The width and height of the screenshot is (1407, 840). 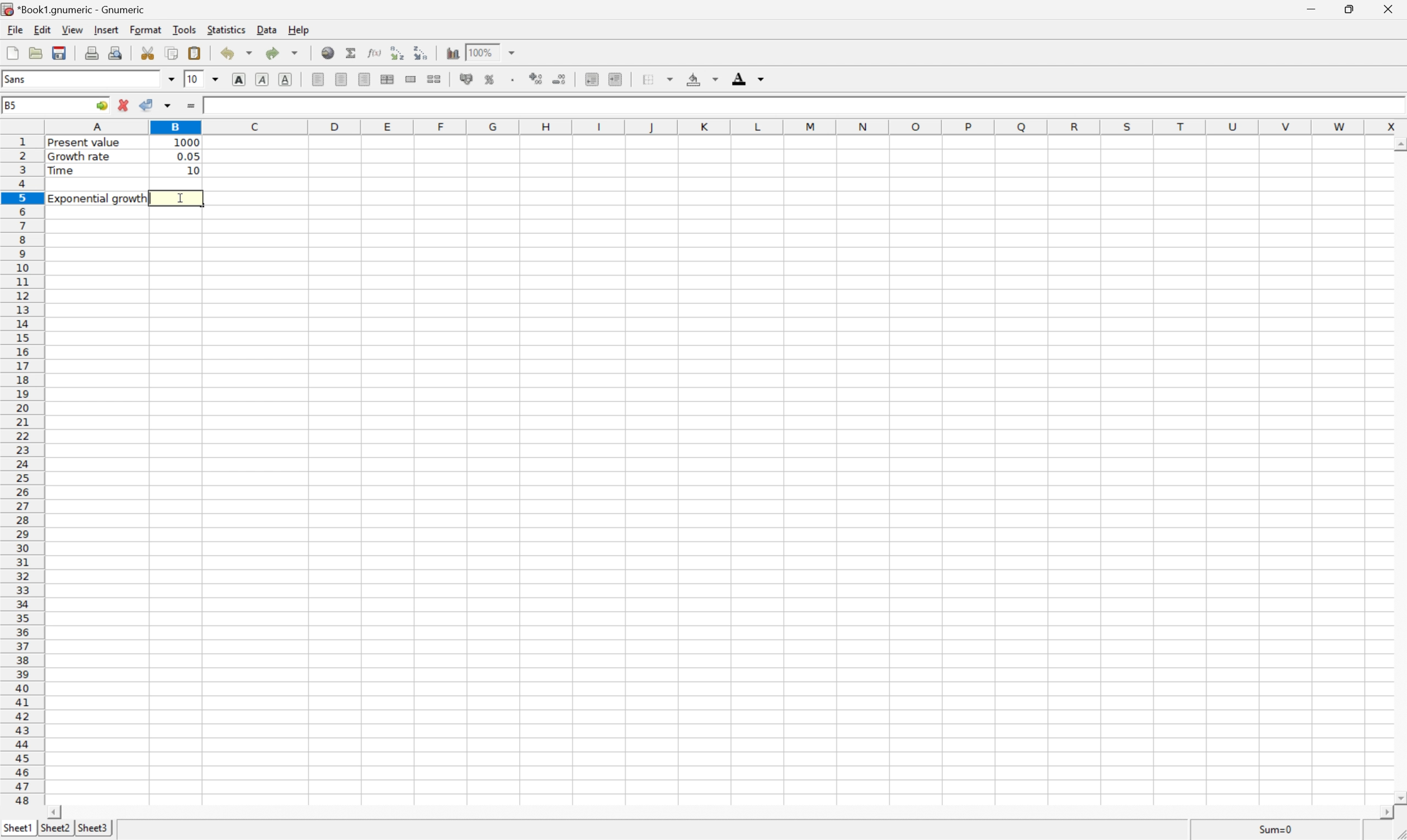 What do you see at coordinates (13, 31) in the screenshot?
I see `File` at bounding box center [13, 31].